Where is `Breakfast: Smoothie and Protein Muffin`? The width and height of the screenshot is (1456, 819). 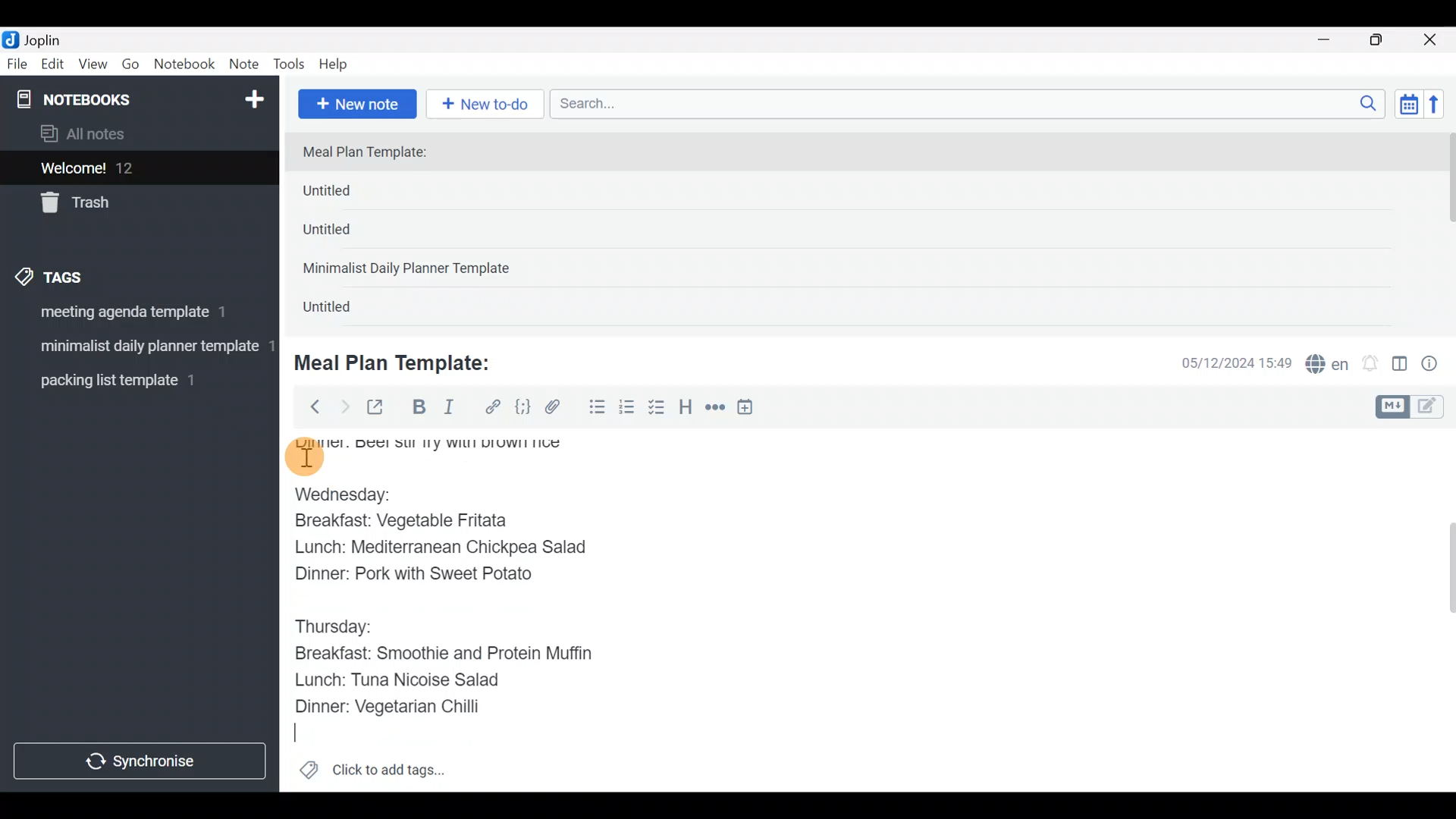
Breakfast: Smoothie and Protein Muffin is located at coordinates (447, 653).